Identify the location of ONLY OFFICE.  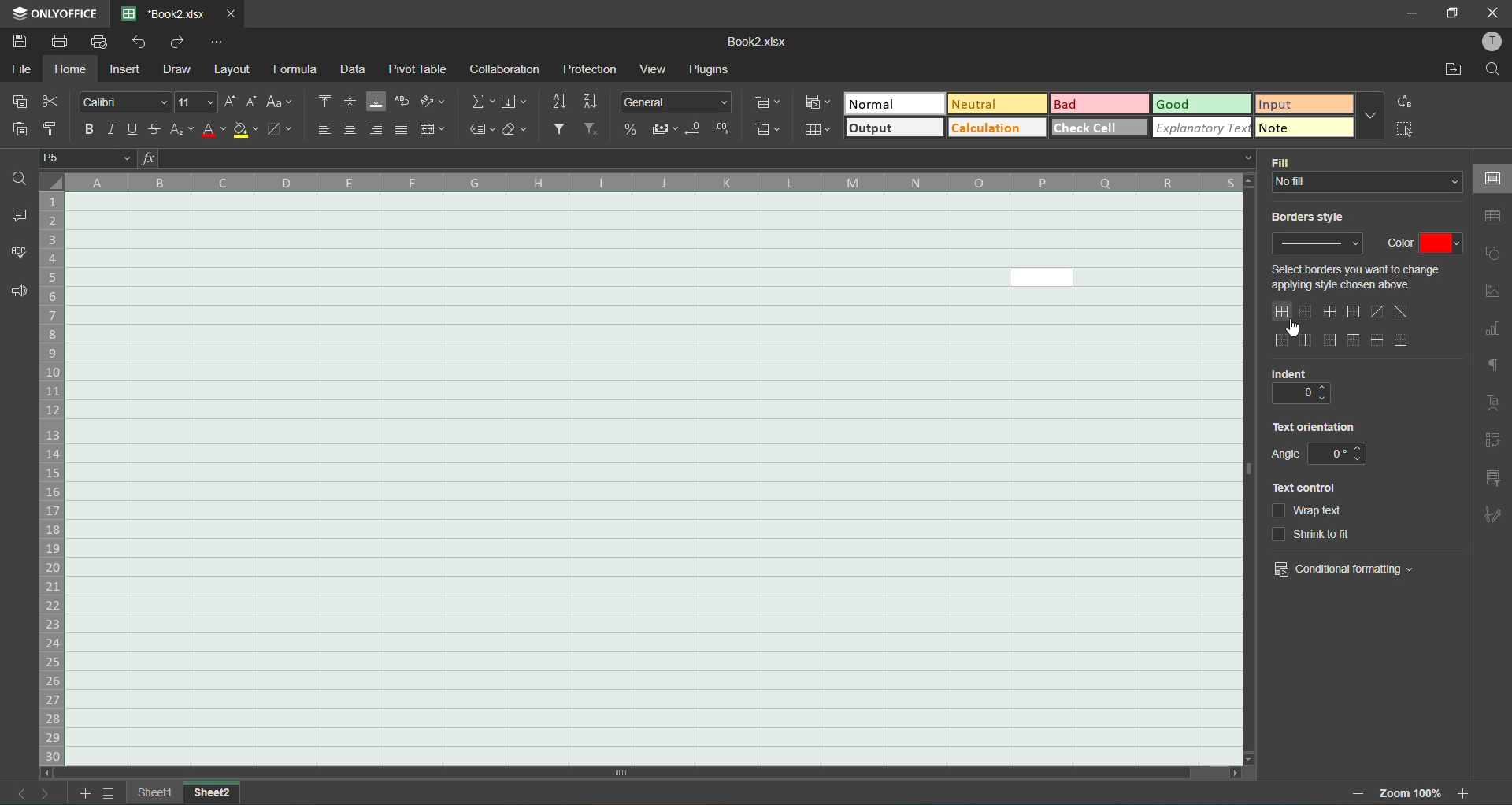
(57, 10).